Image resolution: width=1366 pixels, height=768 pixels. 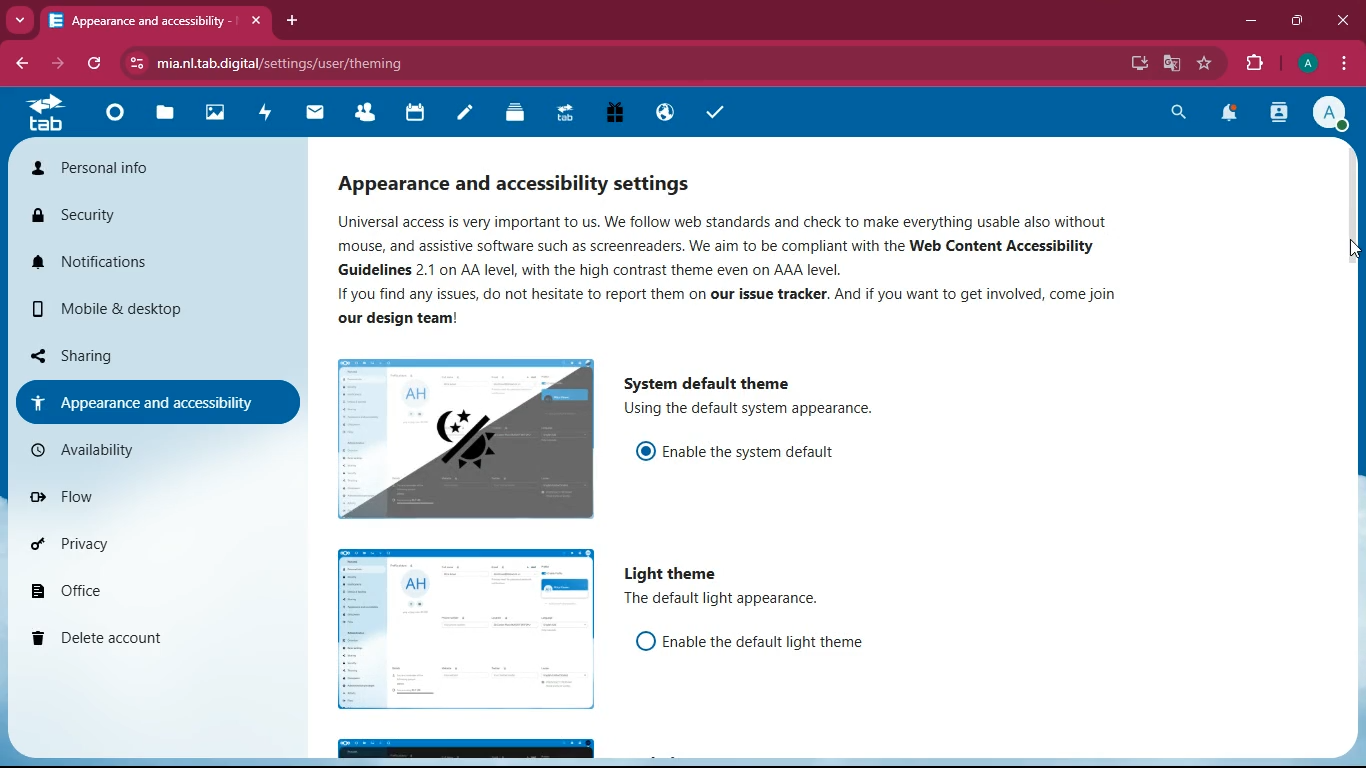 What do you see at coordinates (154, 16) in the screenshot?
I see `tab` at bounding box center [154, 16].